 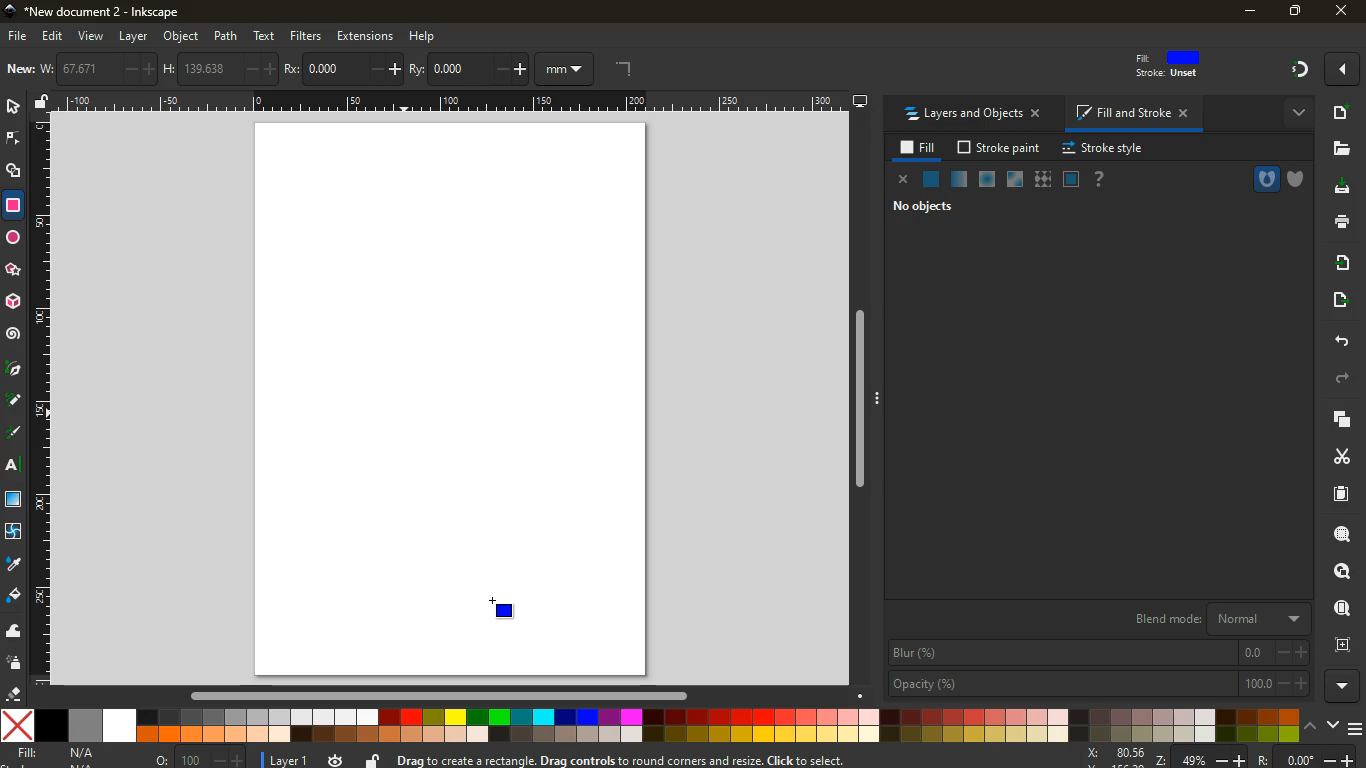 What do you see at coordinates (1293, 179) in the screenshot?
I see `shield` at bounding box center [1293, 179].